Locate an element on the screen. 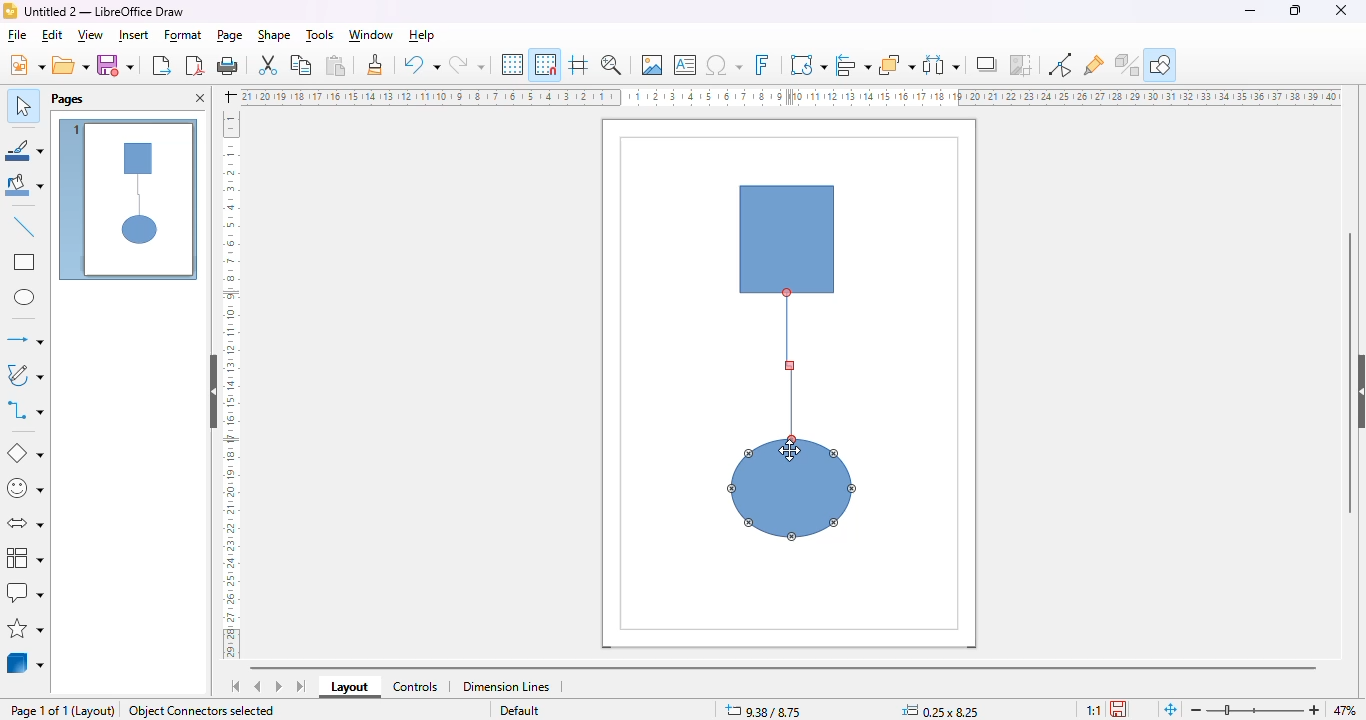  Untitled 2 - LibreOffice Draw is located at coordinates (105, 11).